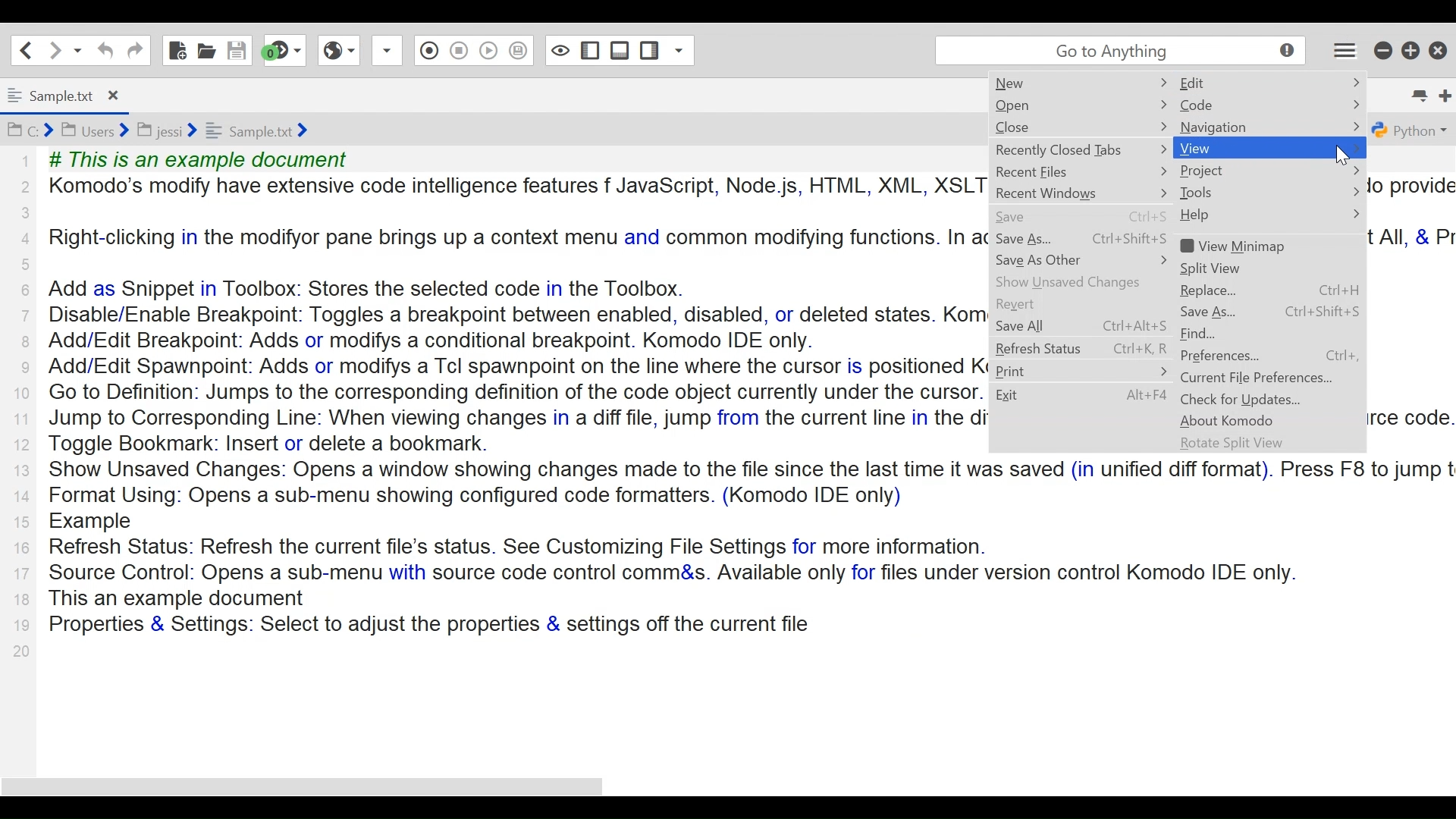 The width and height of the screenshot is (1456, 819). What do you see at coordinates (458, 50) in the screenshot?
I see `Play Last Macro` at bounding box center [458, 50].